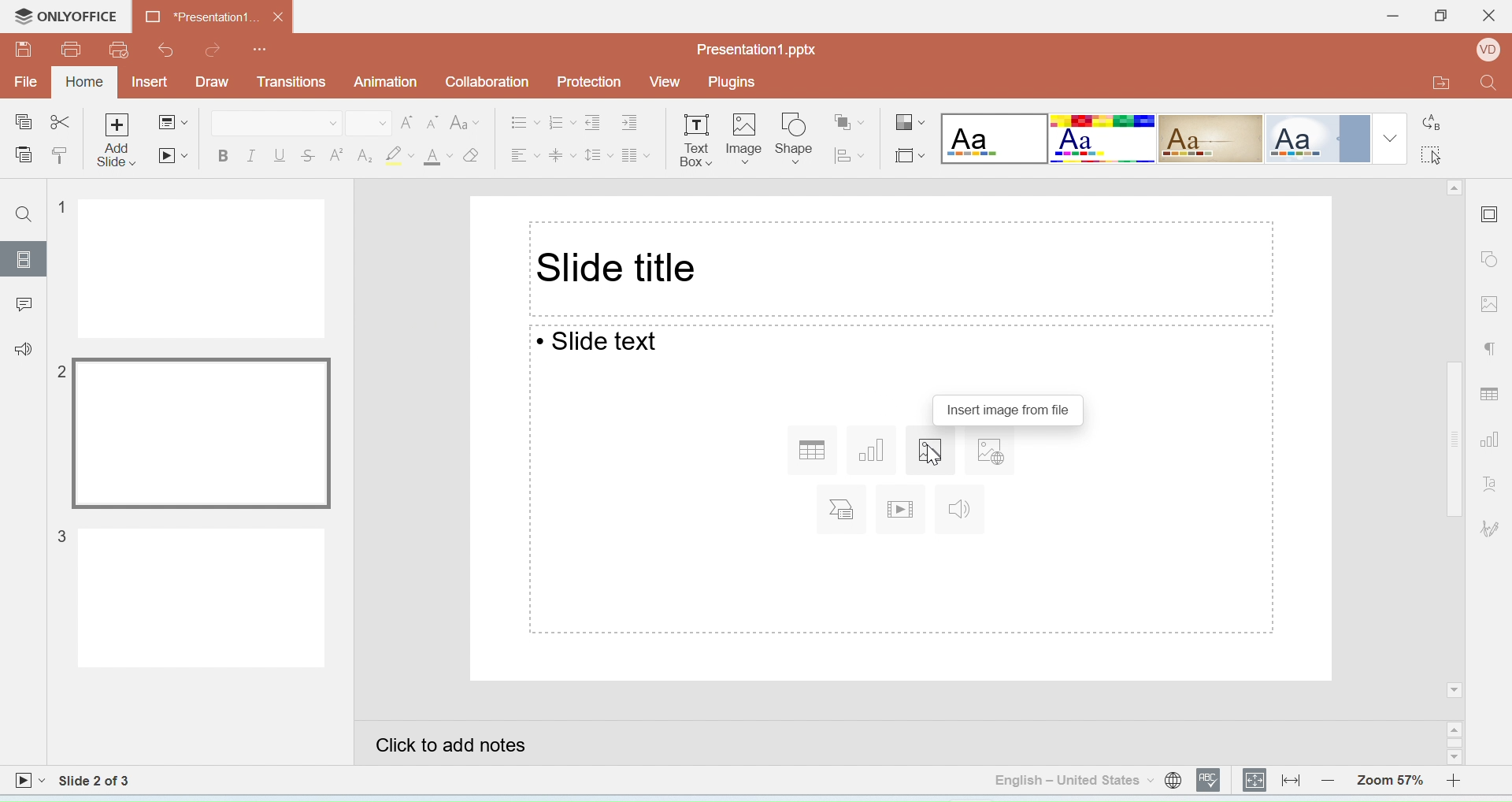  What do you see at coordinates (223, 158) in the screenshot?
I see `Bold` at bounding box center [223, 158].